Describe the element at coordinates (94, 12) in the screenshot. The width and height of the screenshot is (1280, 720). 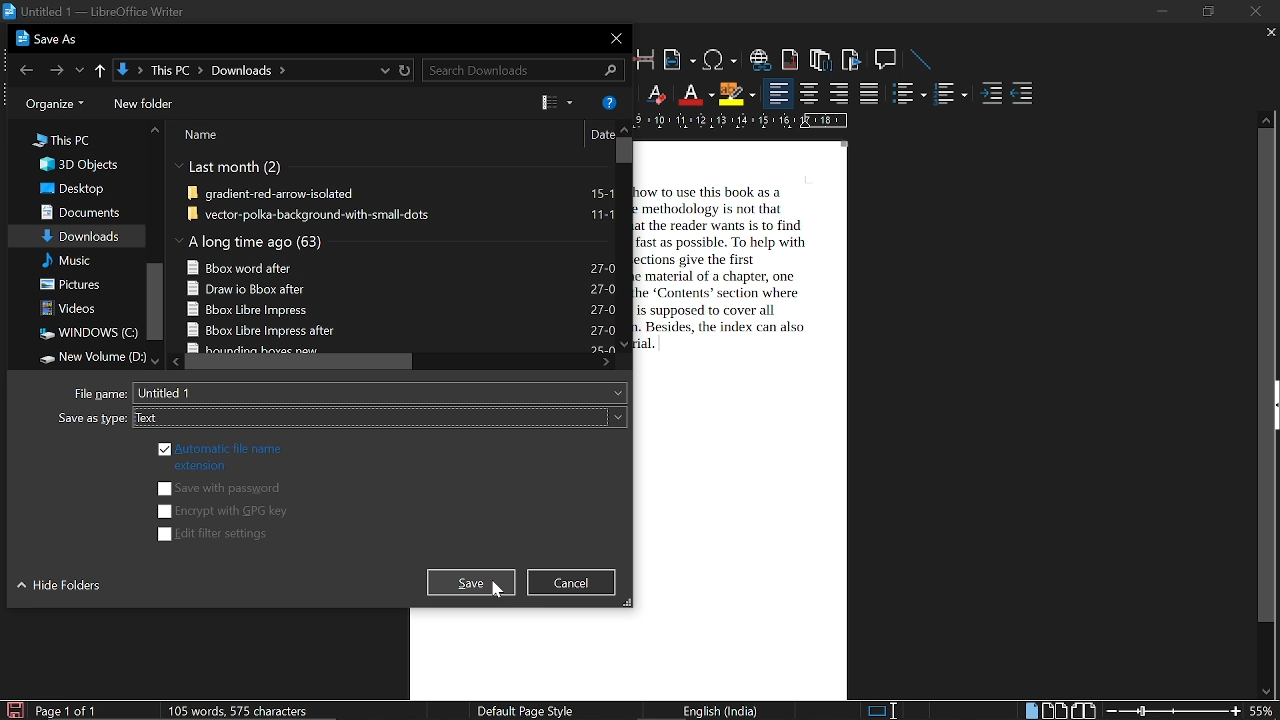
I see `current window` at that location.